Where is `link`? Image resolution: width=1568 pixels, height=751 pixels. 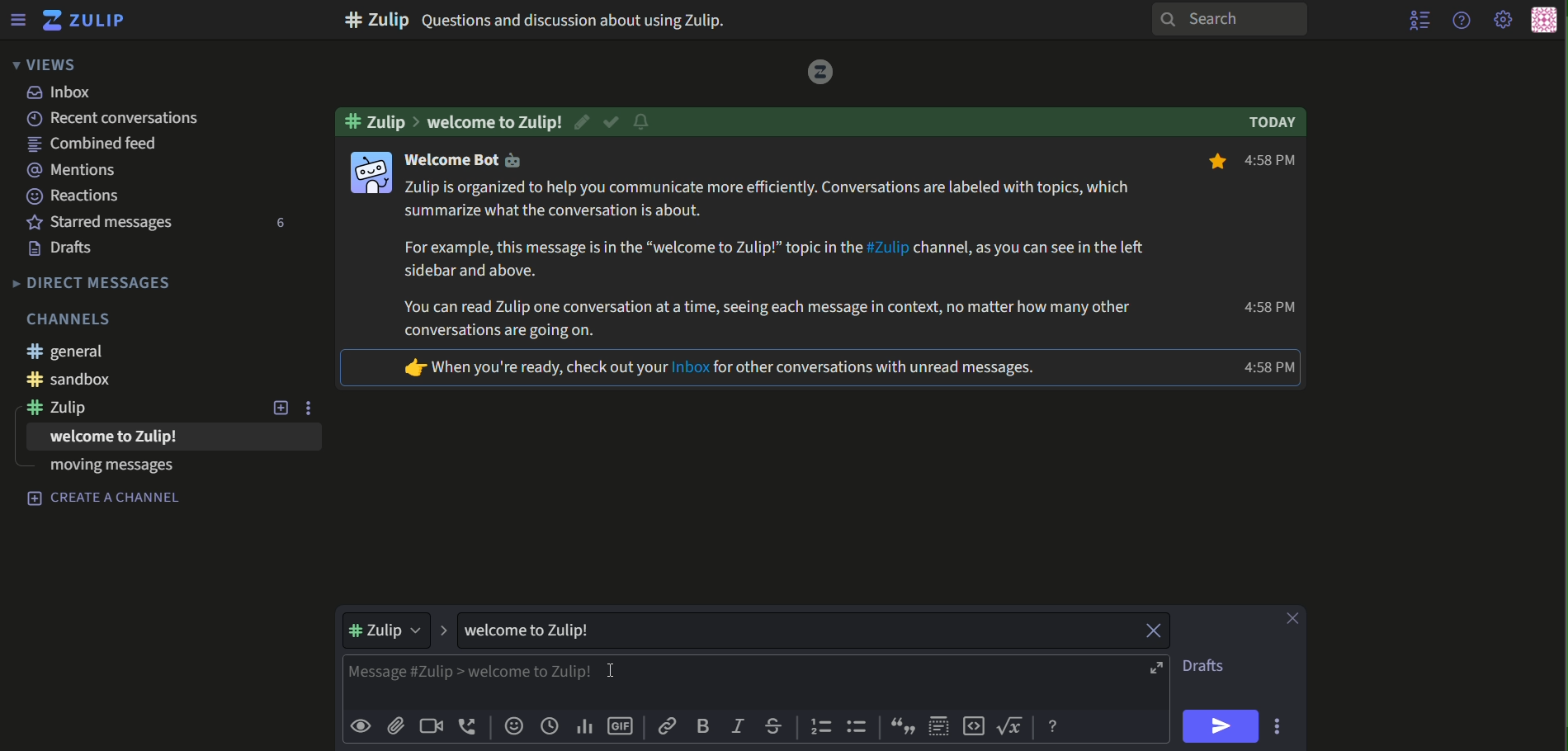
link is located at coordinates (668, 726).